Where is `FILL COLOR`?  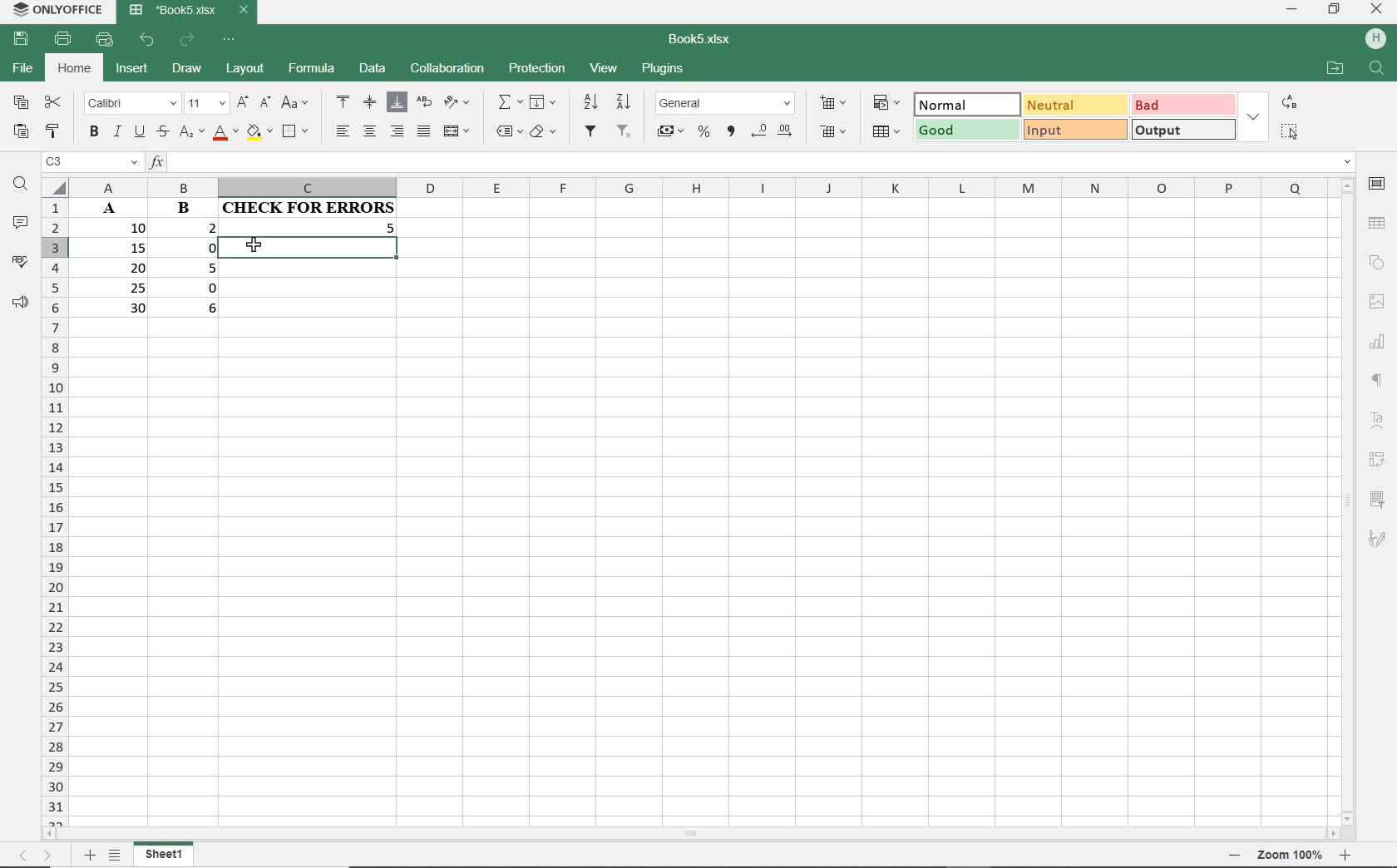 FILL COLOR is located at coordinates (259, 134).